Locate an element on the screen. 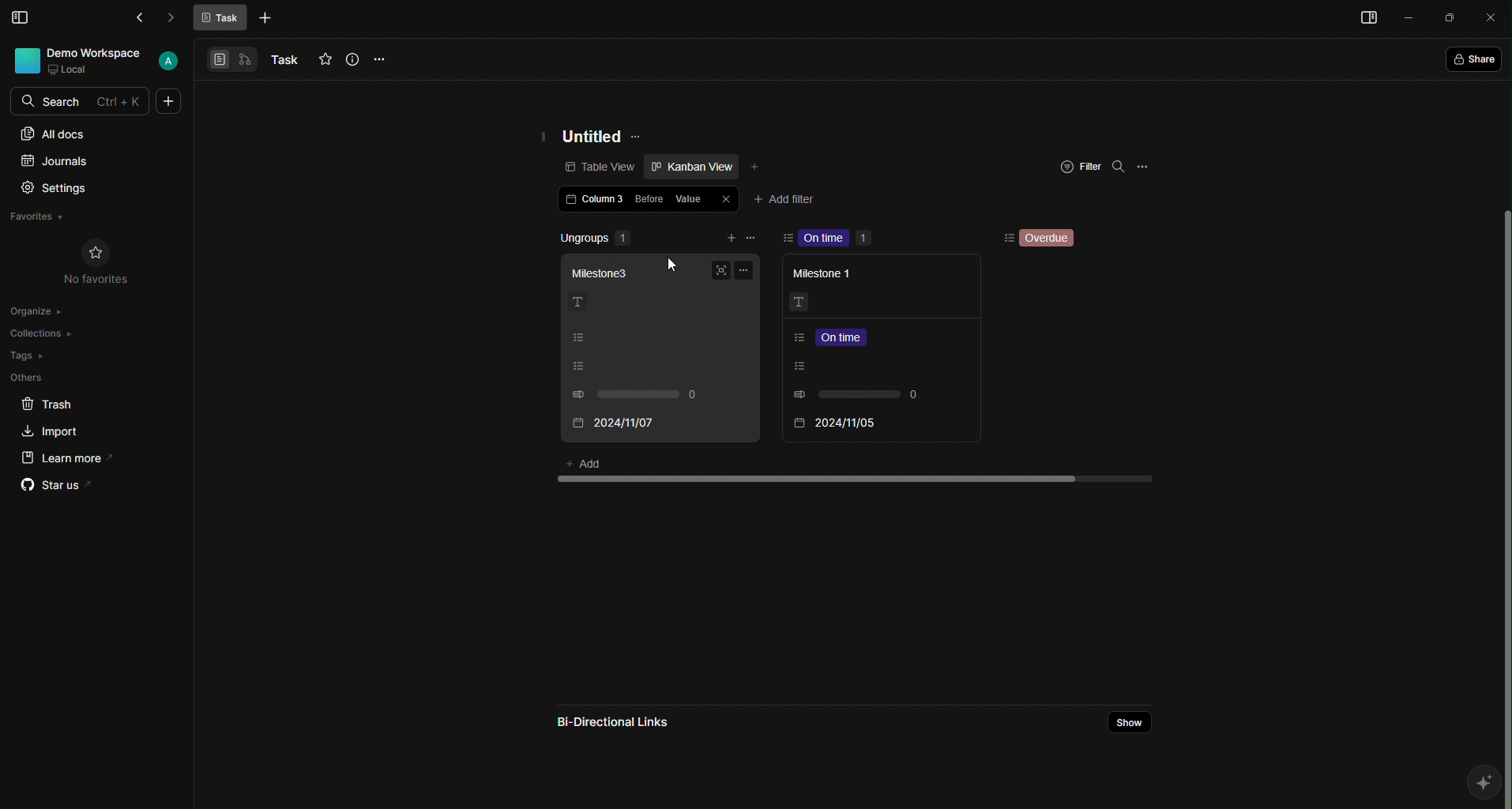 The height and width of the screenshot is (809, 1512). Close is located at coordinates (1493, 16).